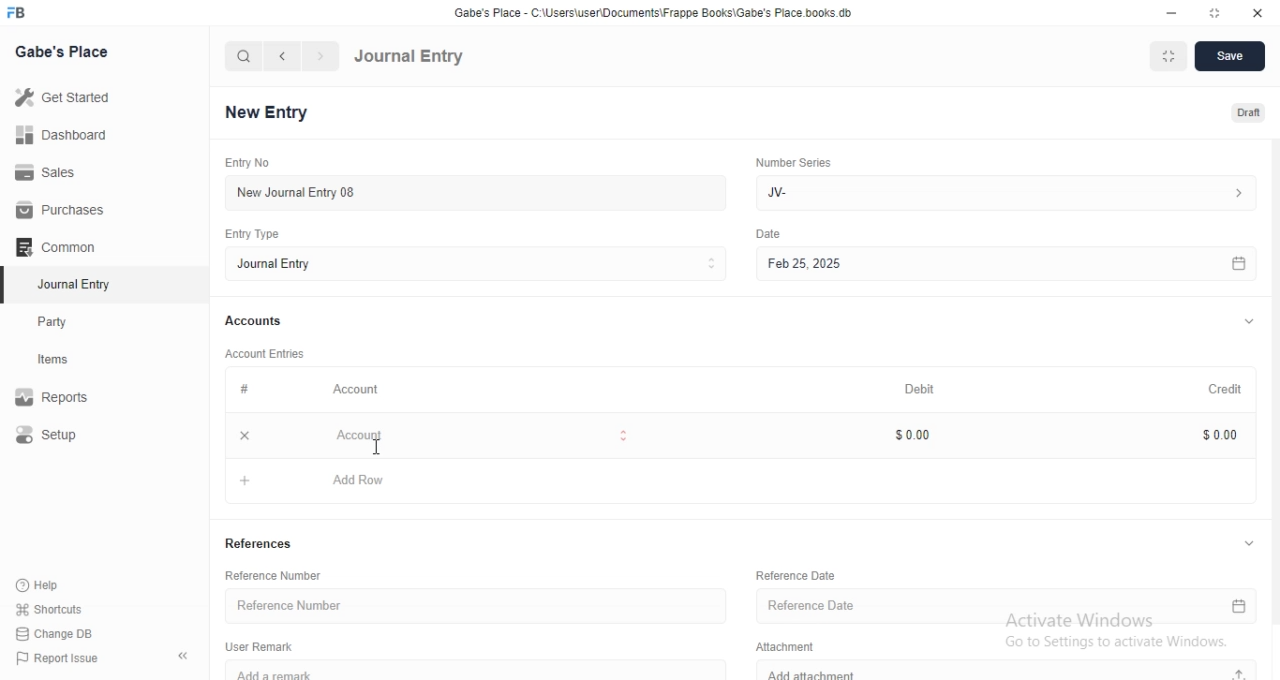 The width and height of the screenshot is (1280, 680). What do you see at coordinates (650, 10) in the screenshot?
I see `‘Gabe's Place - C\Users\useriDocuments\Frappe Books\Gabe's Place books. db` at bounding box center [650, 10].